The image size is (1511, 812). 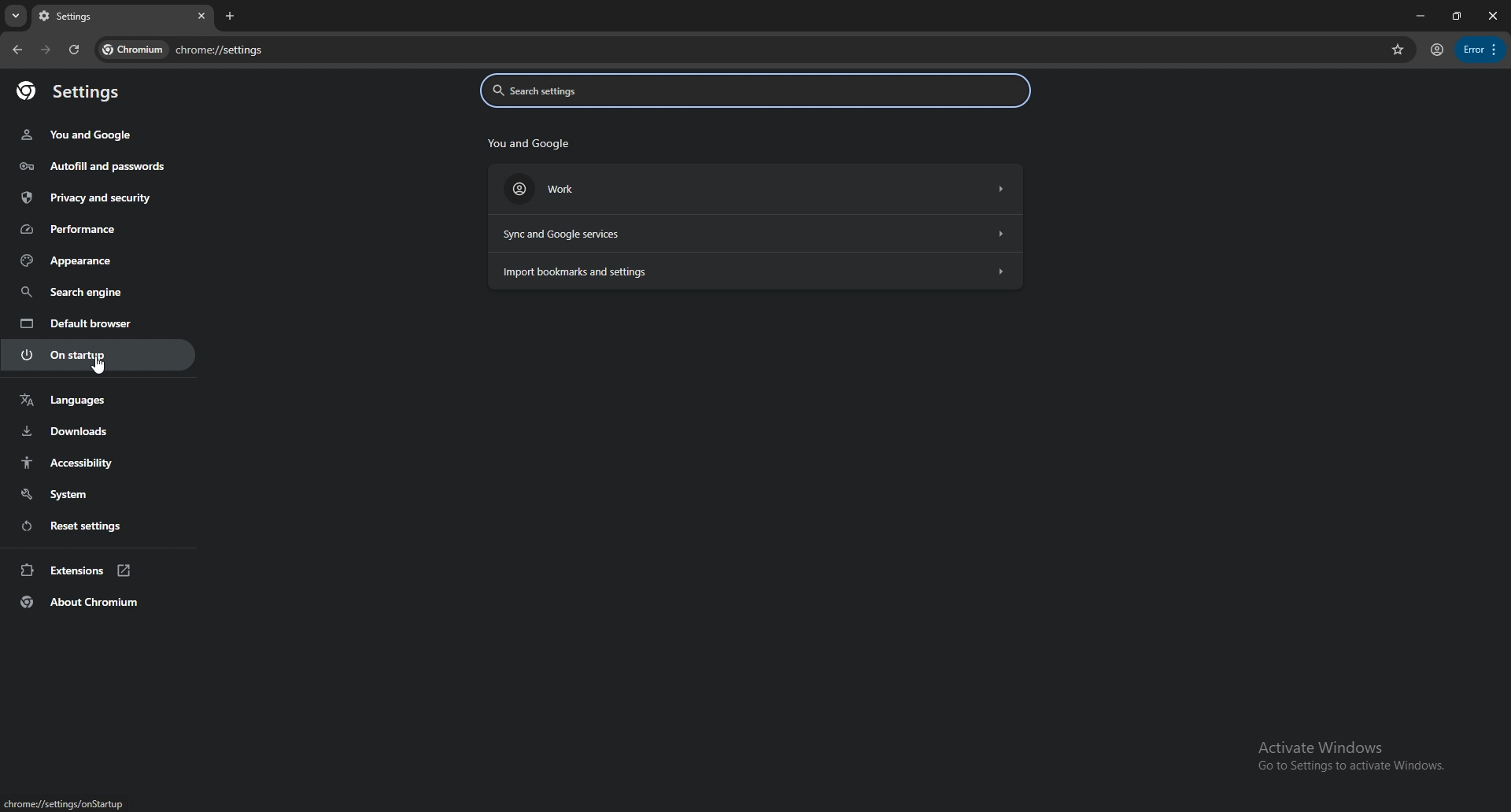 What do you see at coordinates (755, 272) in the screenshot?
I see `import bookmark and settings` at bounding box center [755, 272].